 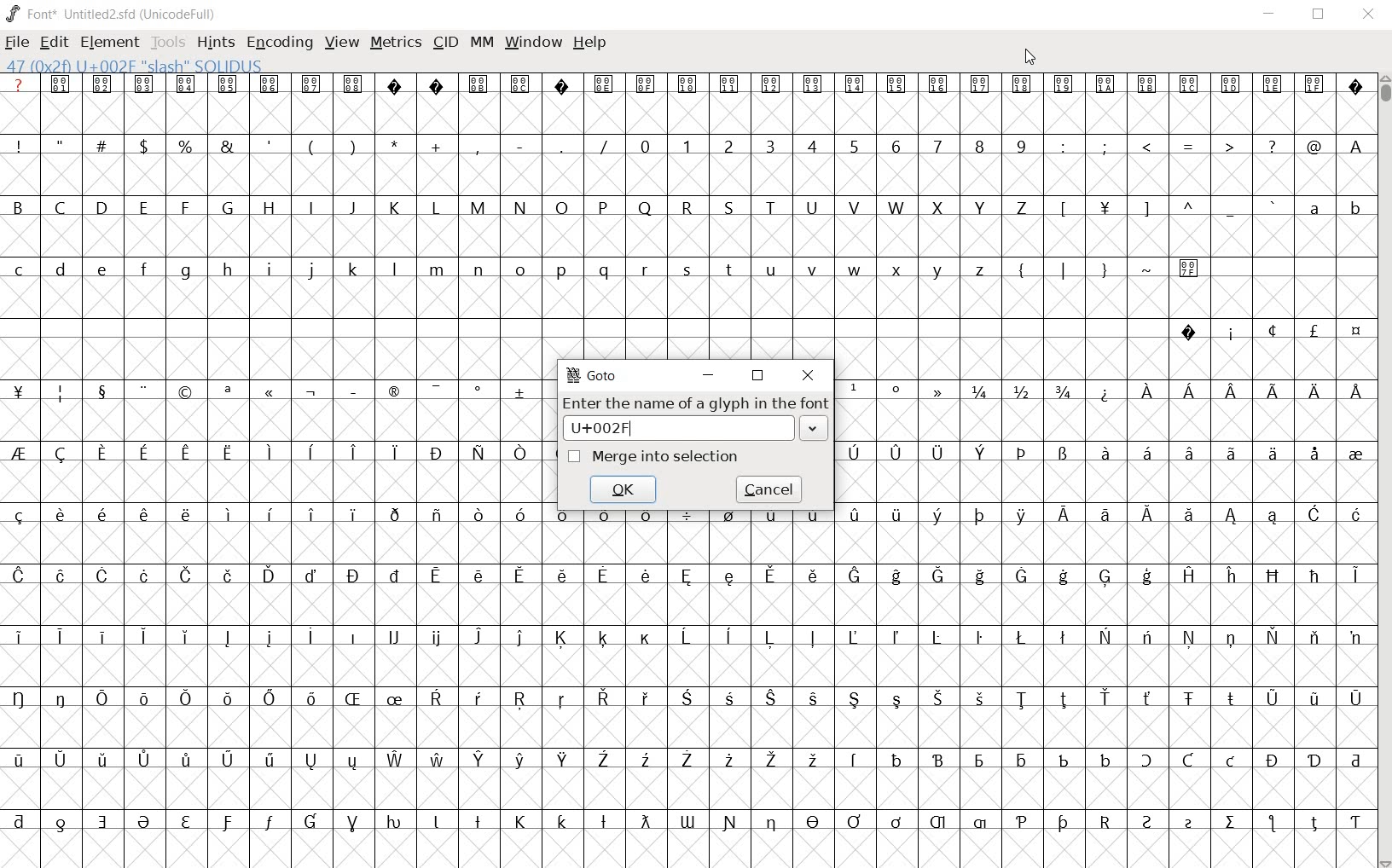 What do you see at coordinates (590, 43) in the screenshot?
I see `HELP` at bounding box center [590, 43].